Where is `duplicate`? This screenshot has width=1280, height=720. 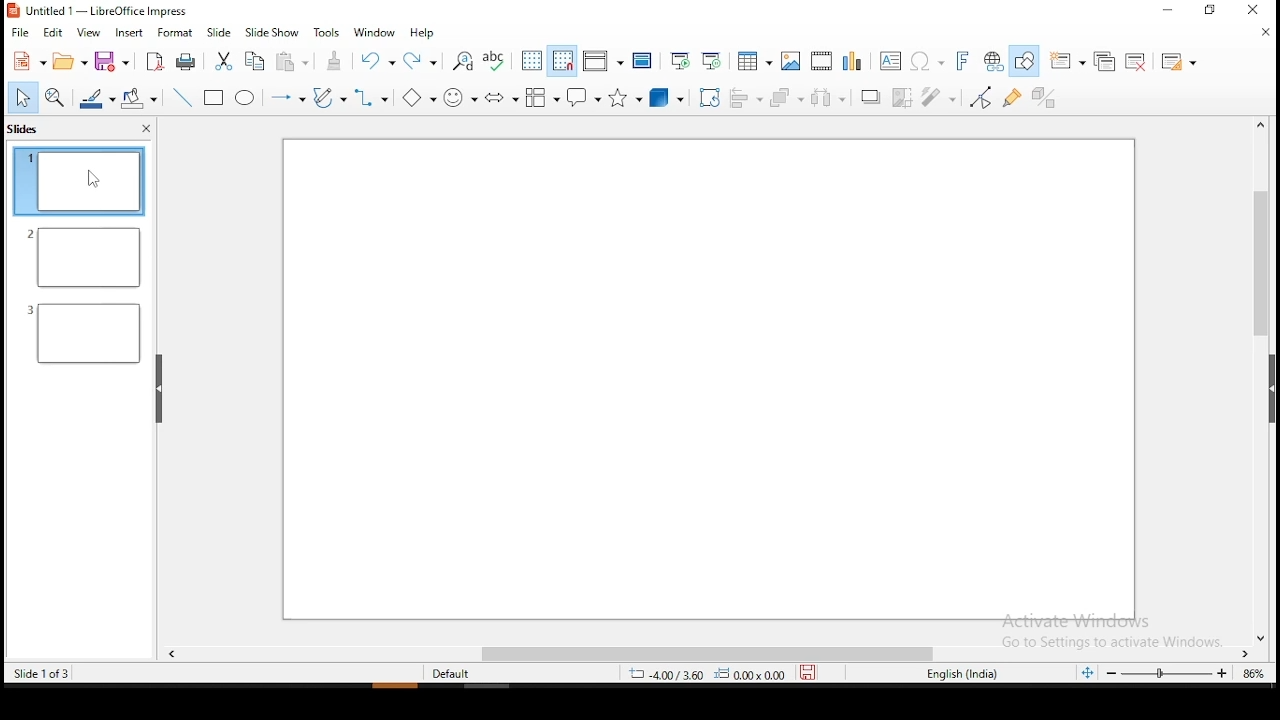 duplicate is located at coordinates (1108, 61).